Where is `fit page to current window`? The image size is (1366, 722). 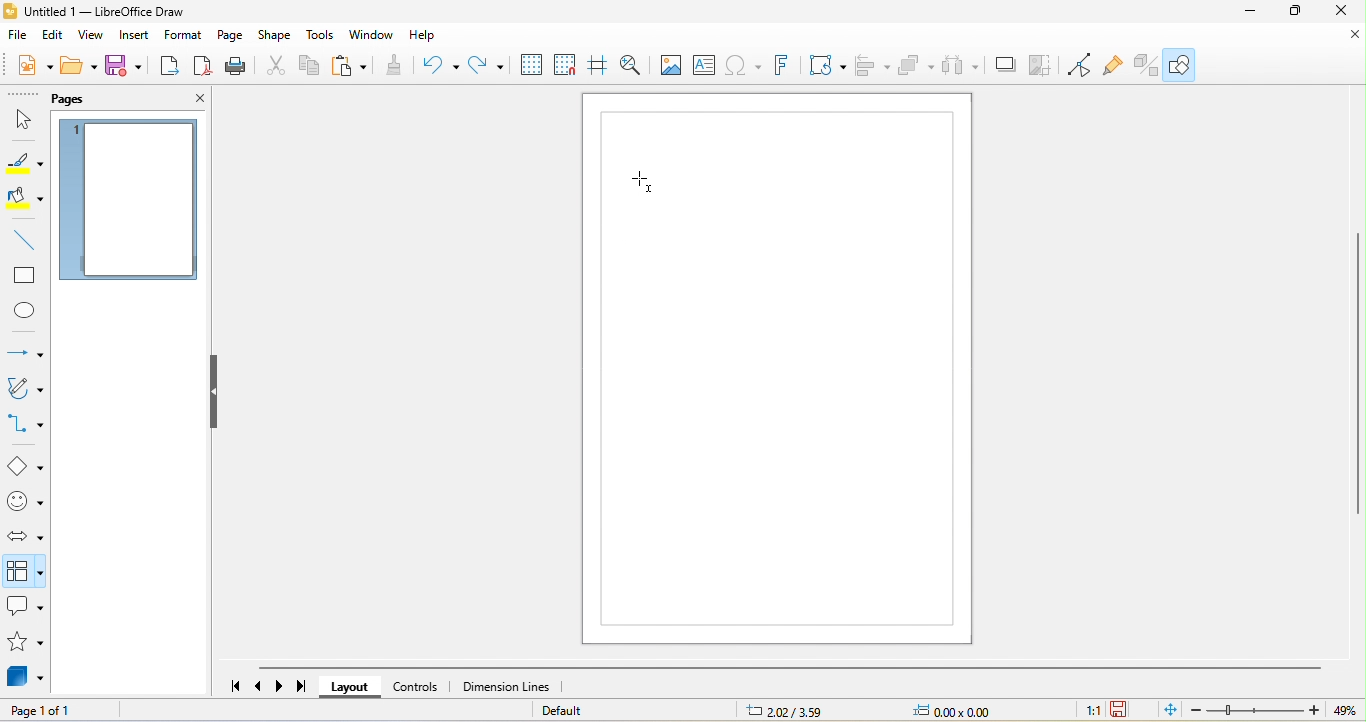 fit page to current window is located at coordinates (1165, 709).